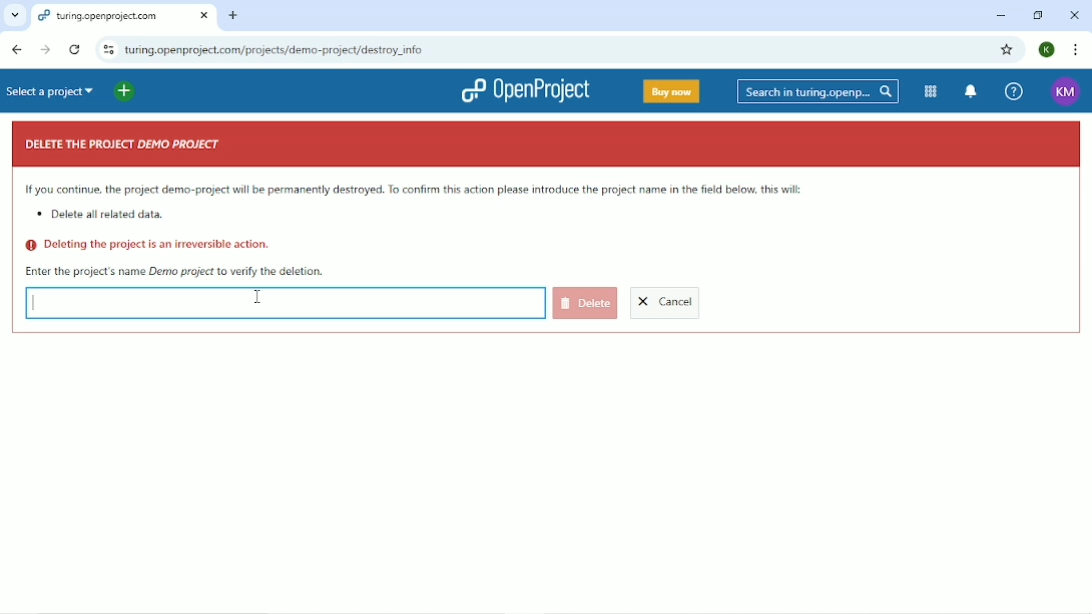  Describe the element at coordinates (43, 50) in the screenshot. I see `Forward` at that location.